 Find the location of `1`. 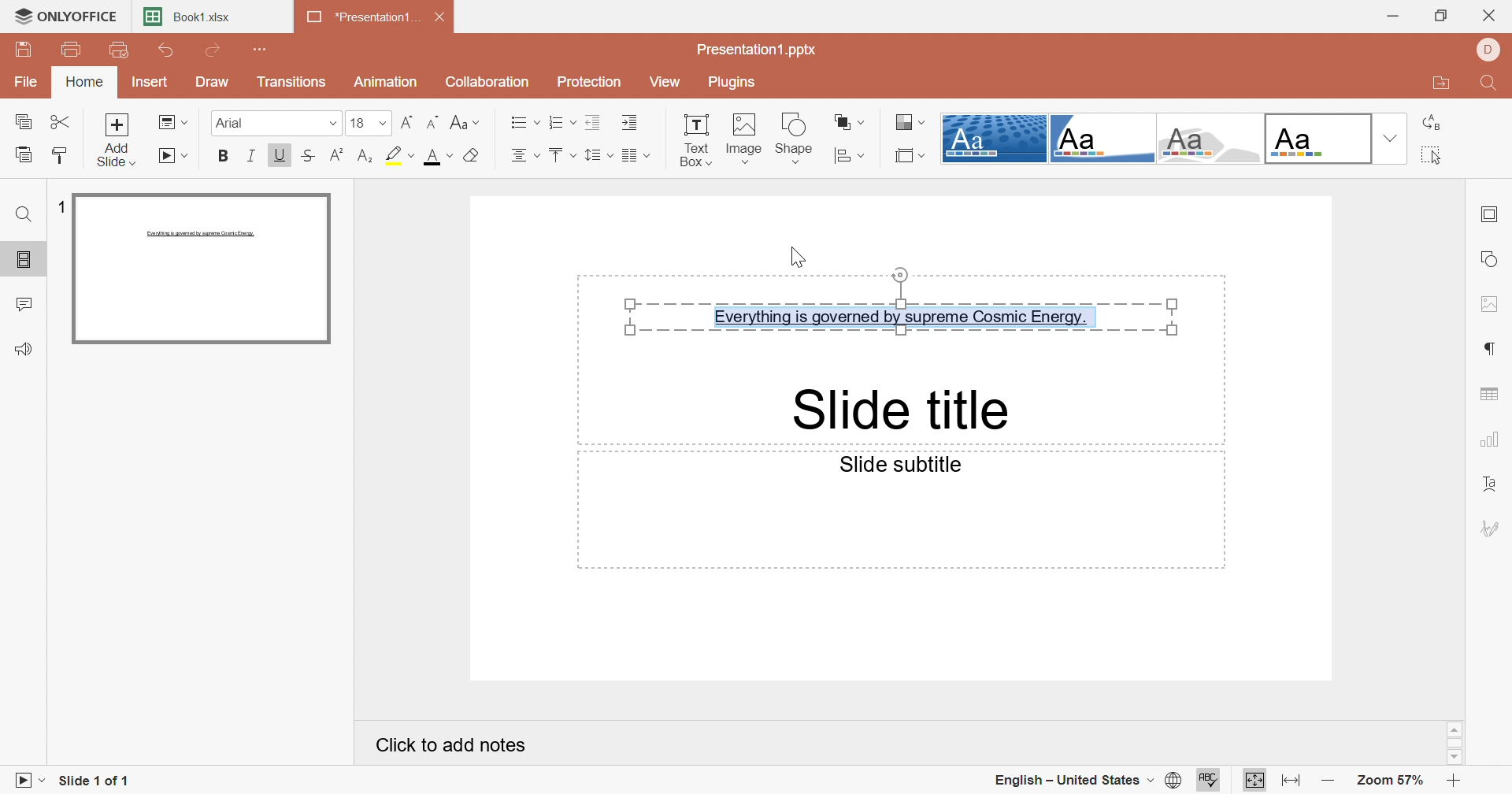

1 is located at coordinates (59, 206).